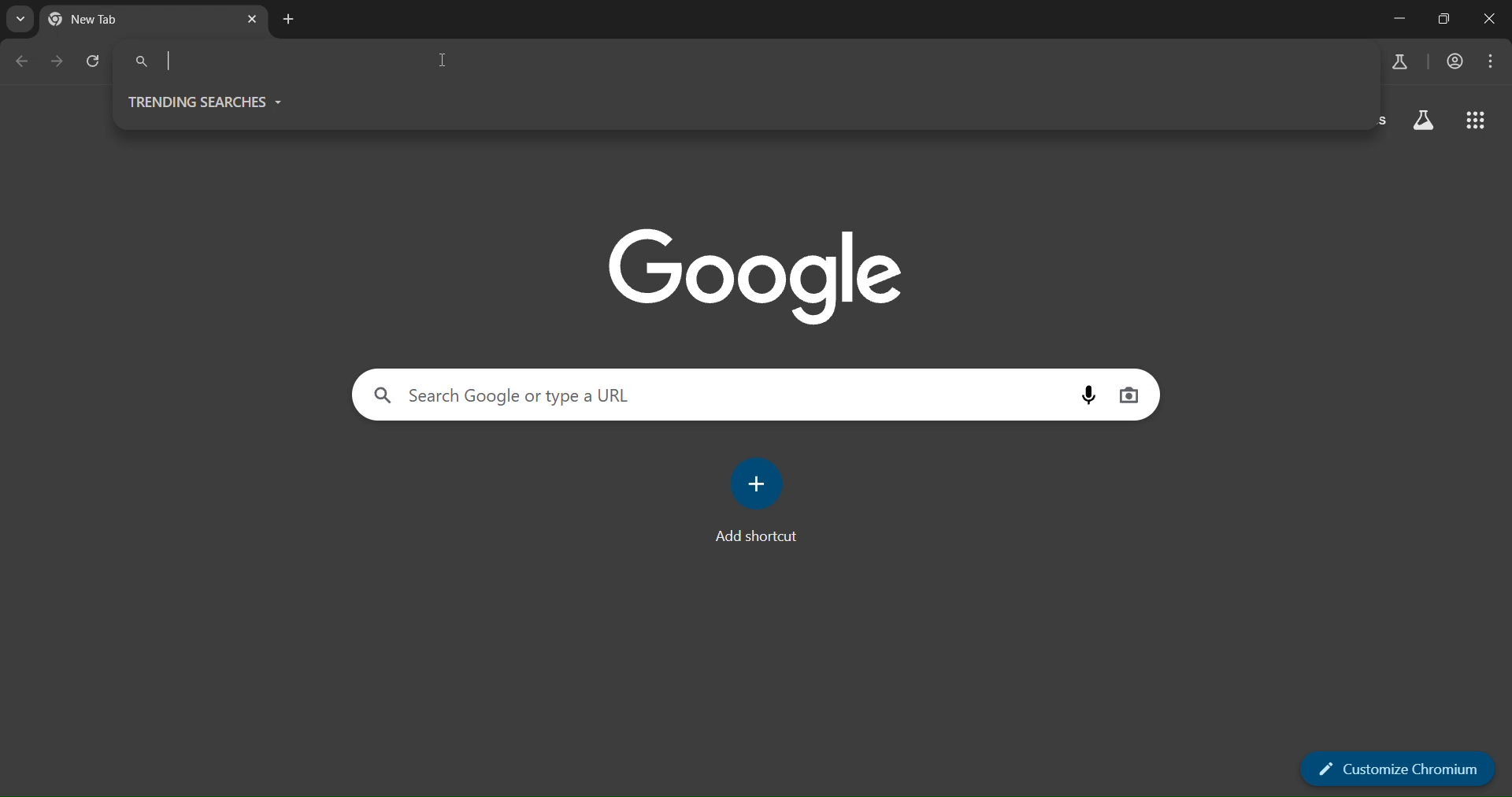 Image resolution: width=1512 pixels, height=797 pixels. I want to click on restore down, so click(1442, 18).